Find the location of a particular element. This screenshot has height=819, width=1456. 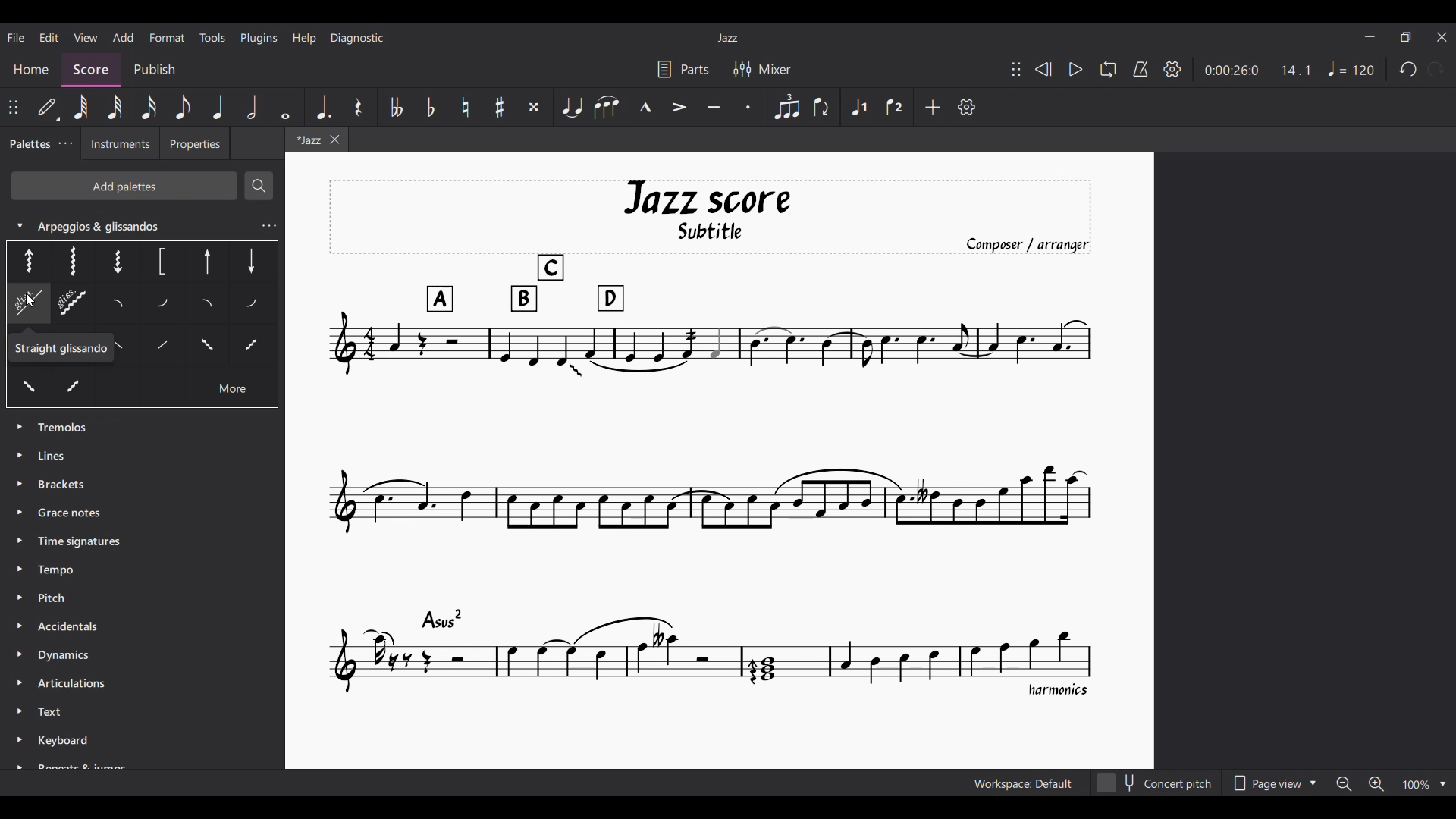

View menu is located at coordinates (85, 37).